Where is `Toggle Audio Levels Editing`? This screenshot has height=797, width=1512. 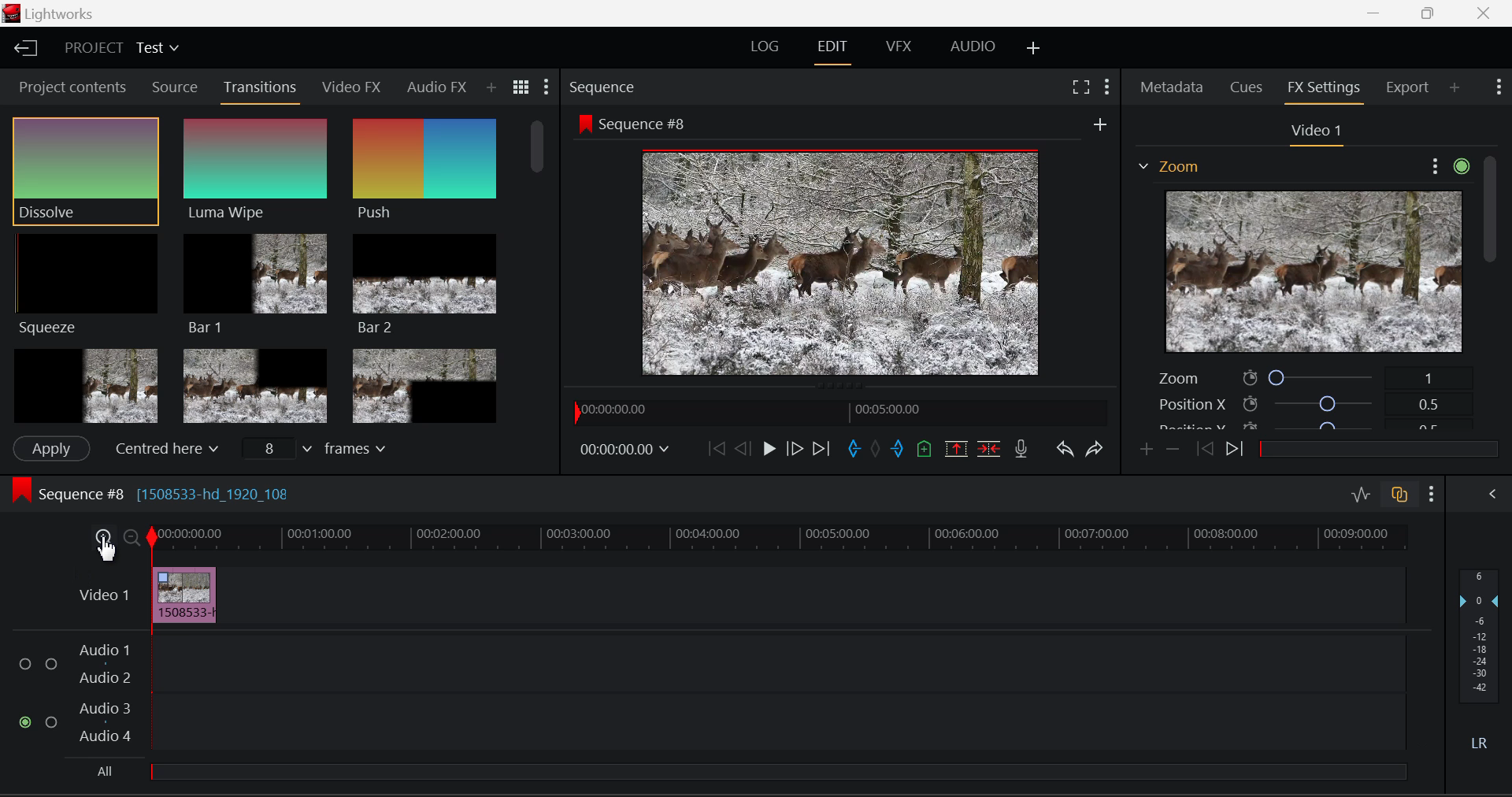 Toggle Audio Levels Editing is located at coordinates (1362, 495).